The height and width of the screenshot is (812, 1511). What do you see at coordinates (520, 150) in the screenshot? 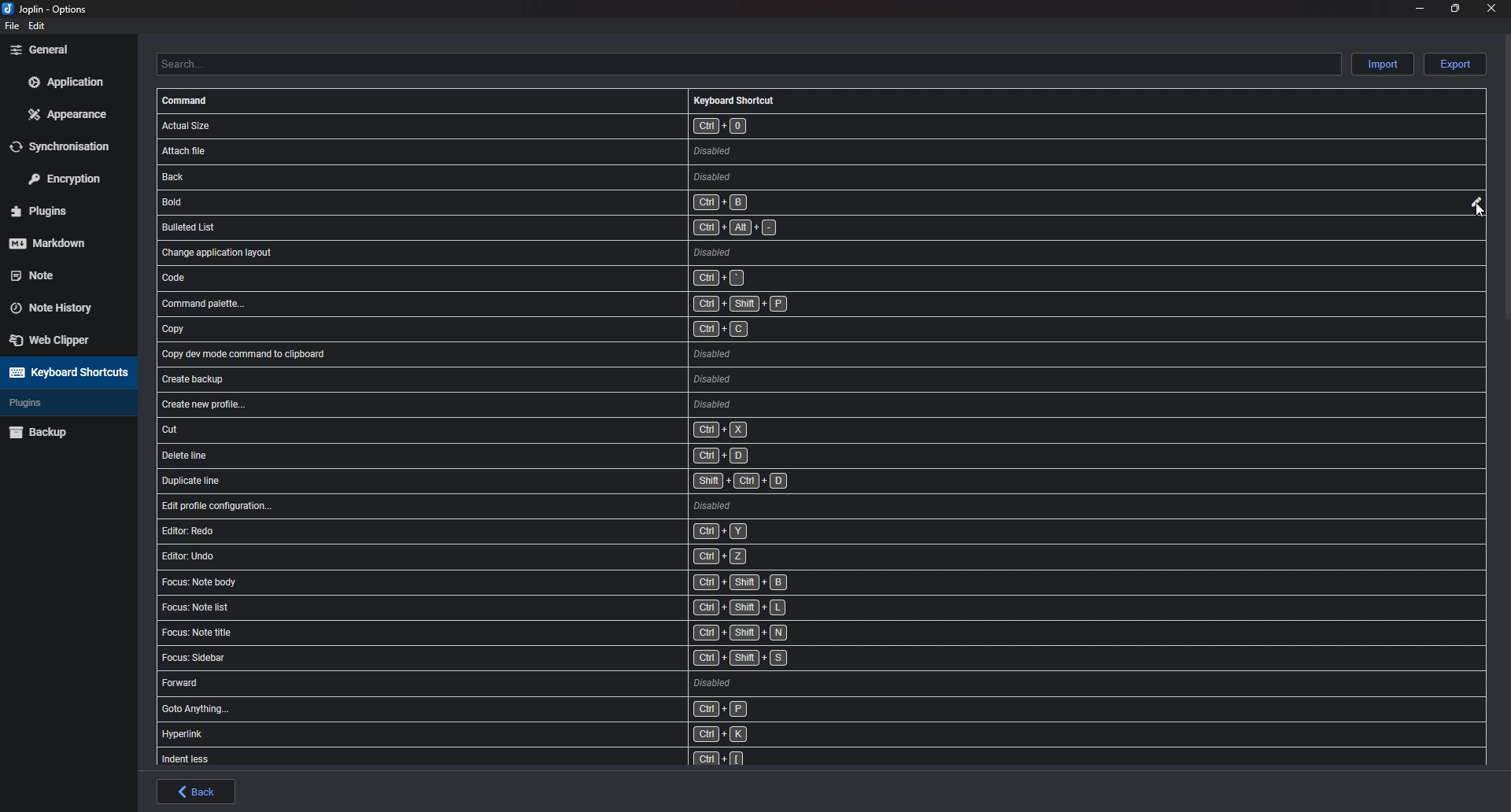
I see `shortcut` at bounding box center [520, 150].